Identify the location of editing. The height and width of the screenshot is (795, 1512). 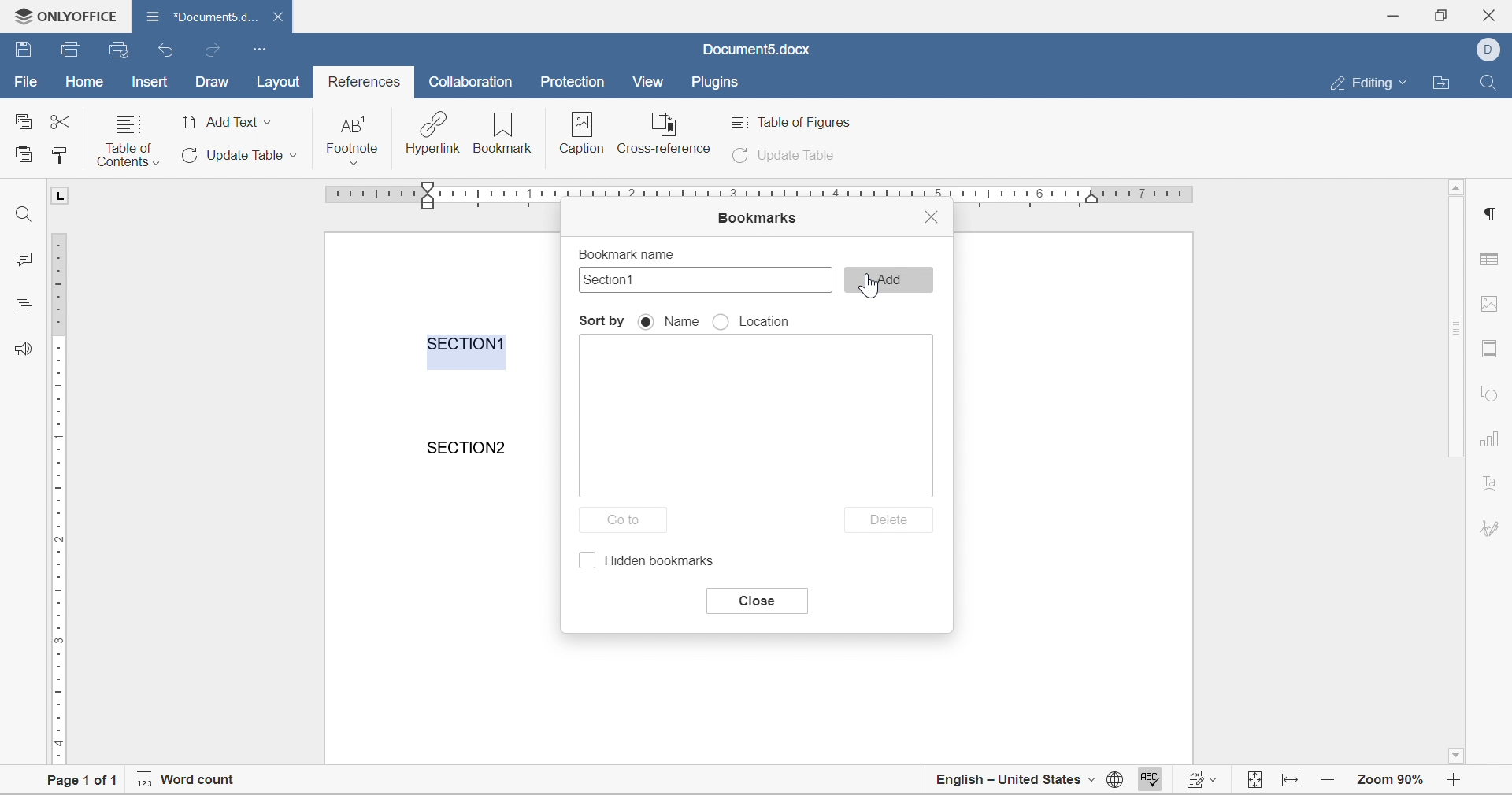
(1373, 83).